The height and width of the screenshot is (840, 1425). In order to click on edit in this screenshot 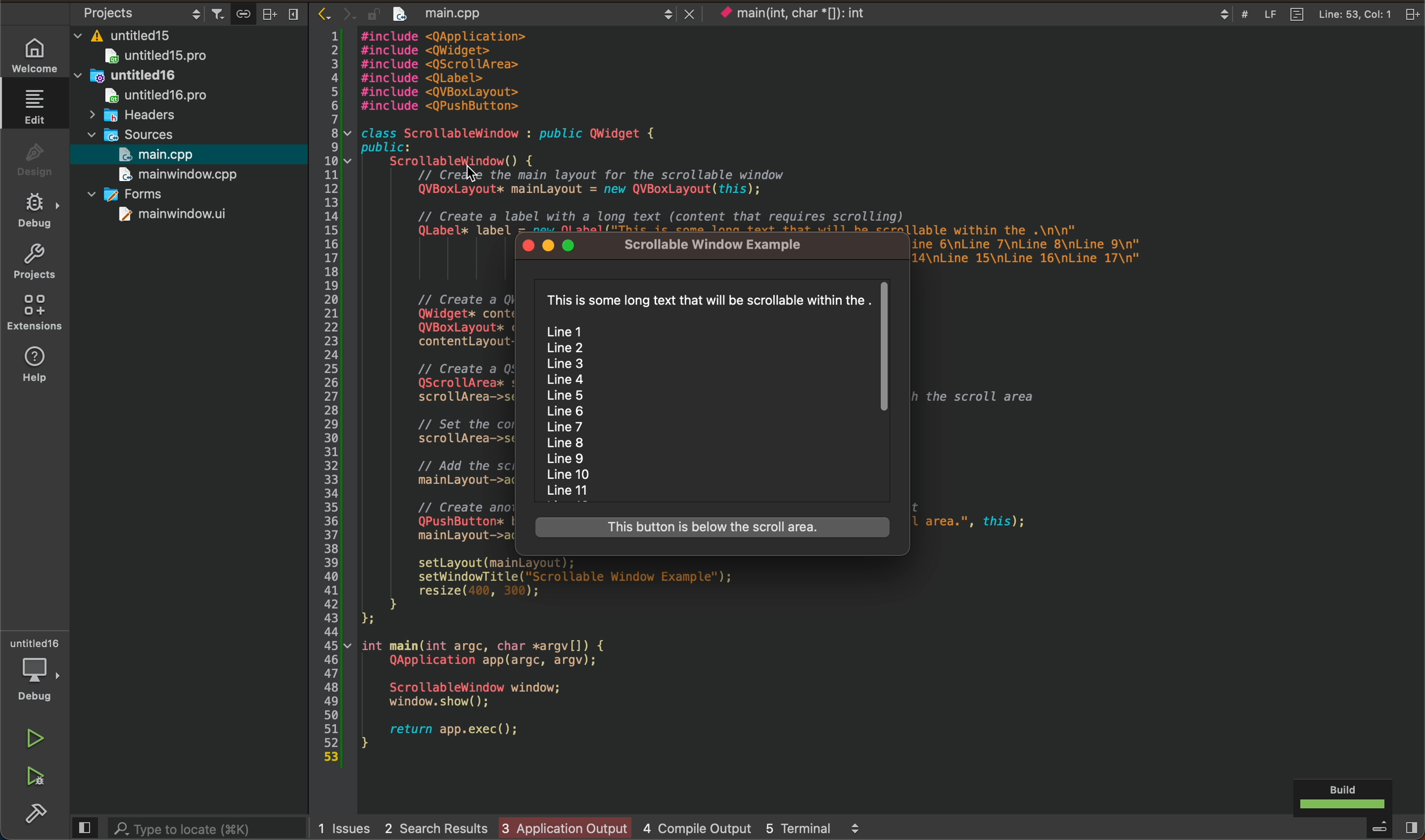, I will do `click(32, 106)`.